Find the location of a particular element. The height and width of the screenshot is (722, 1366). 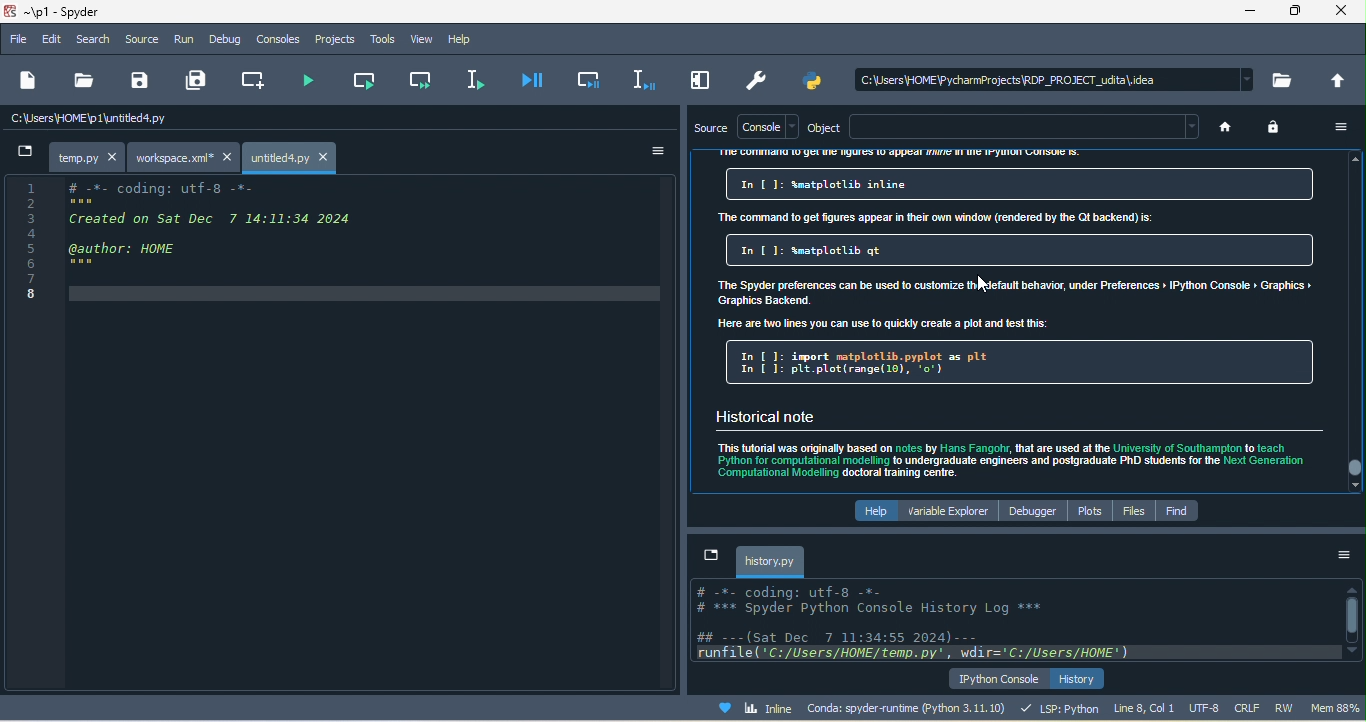

search is located at coordinates (101, 41).